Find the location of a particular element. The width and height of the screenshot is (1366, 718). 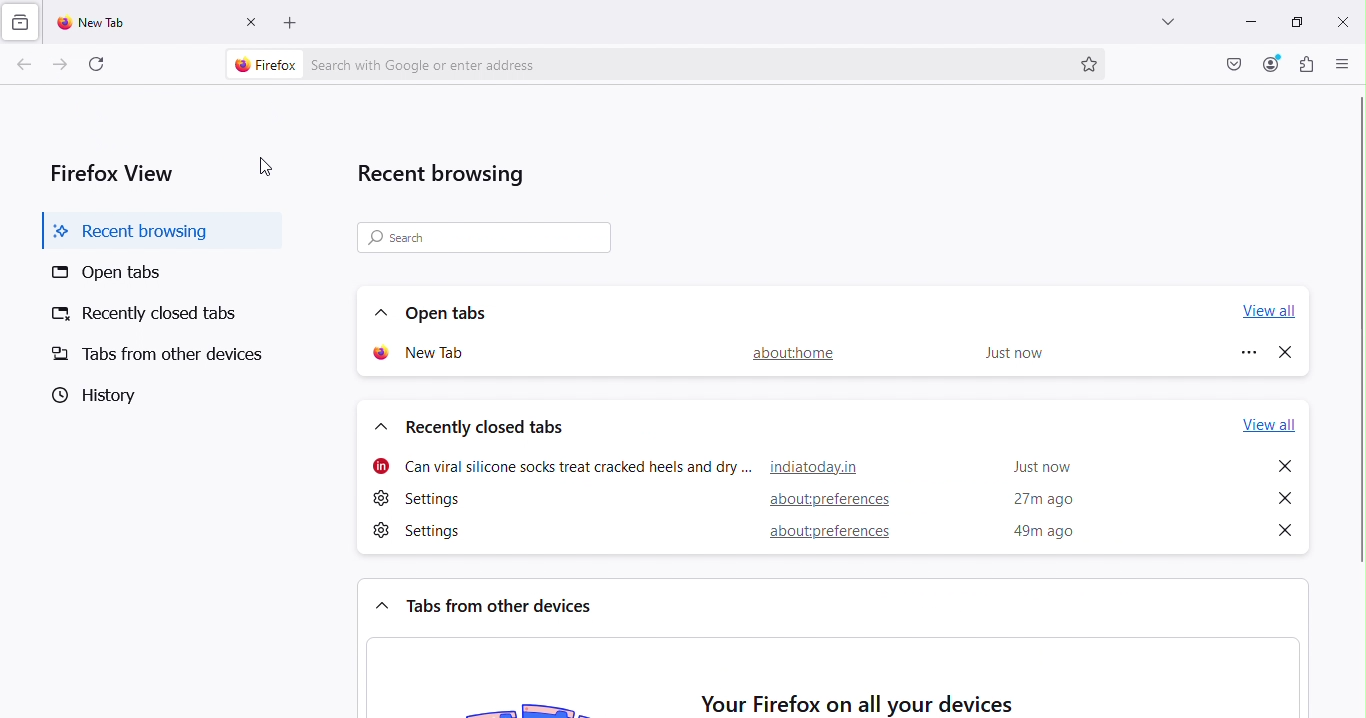

Time is located at coordinates (1050, 534).